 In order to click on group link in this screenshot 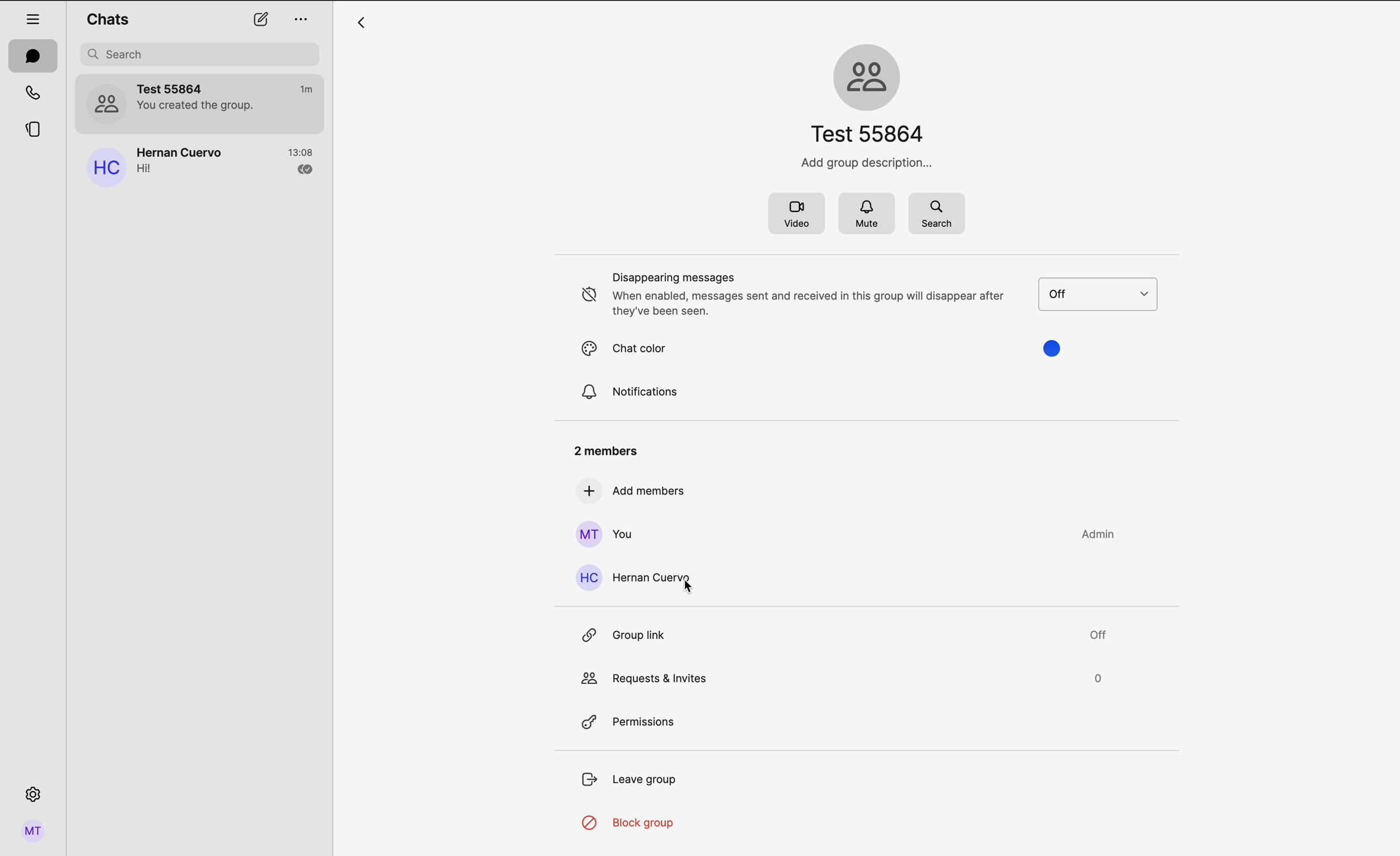, I will do `click(843, 637)`.